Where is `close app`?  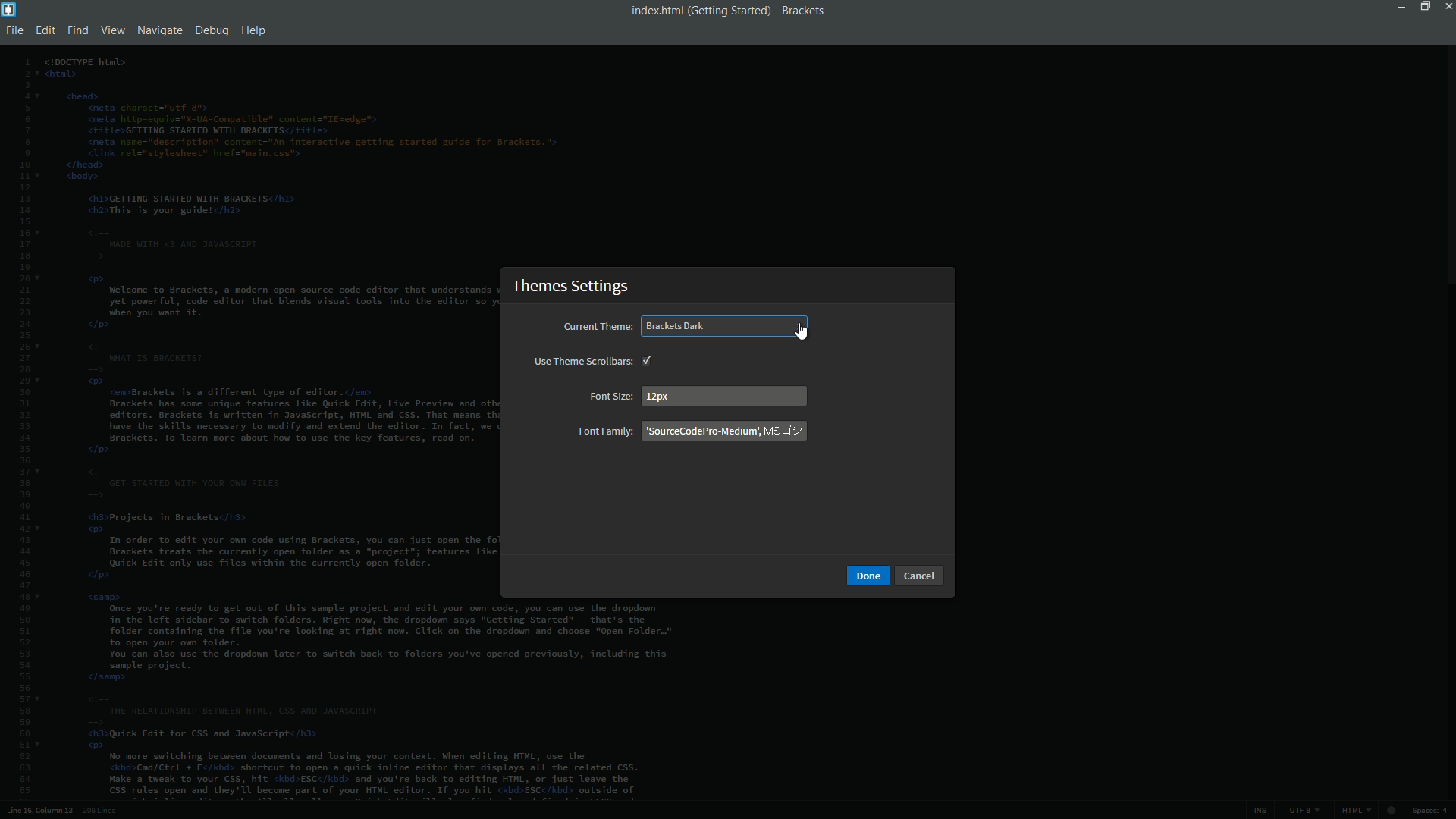 close app is located at coordinates (1447, 6).